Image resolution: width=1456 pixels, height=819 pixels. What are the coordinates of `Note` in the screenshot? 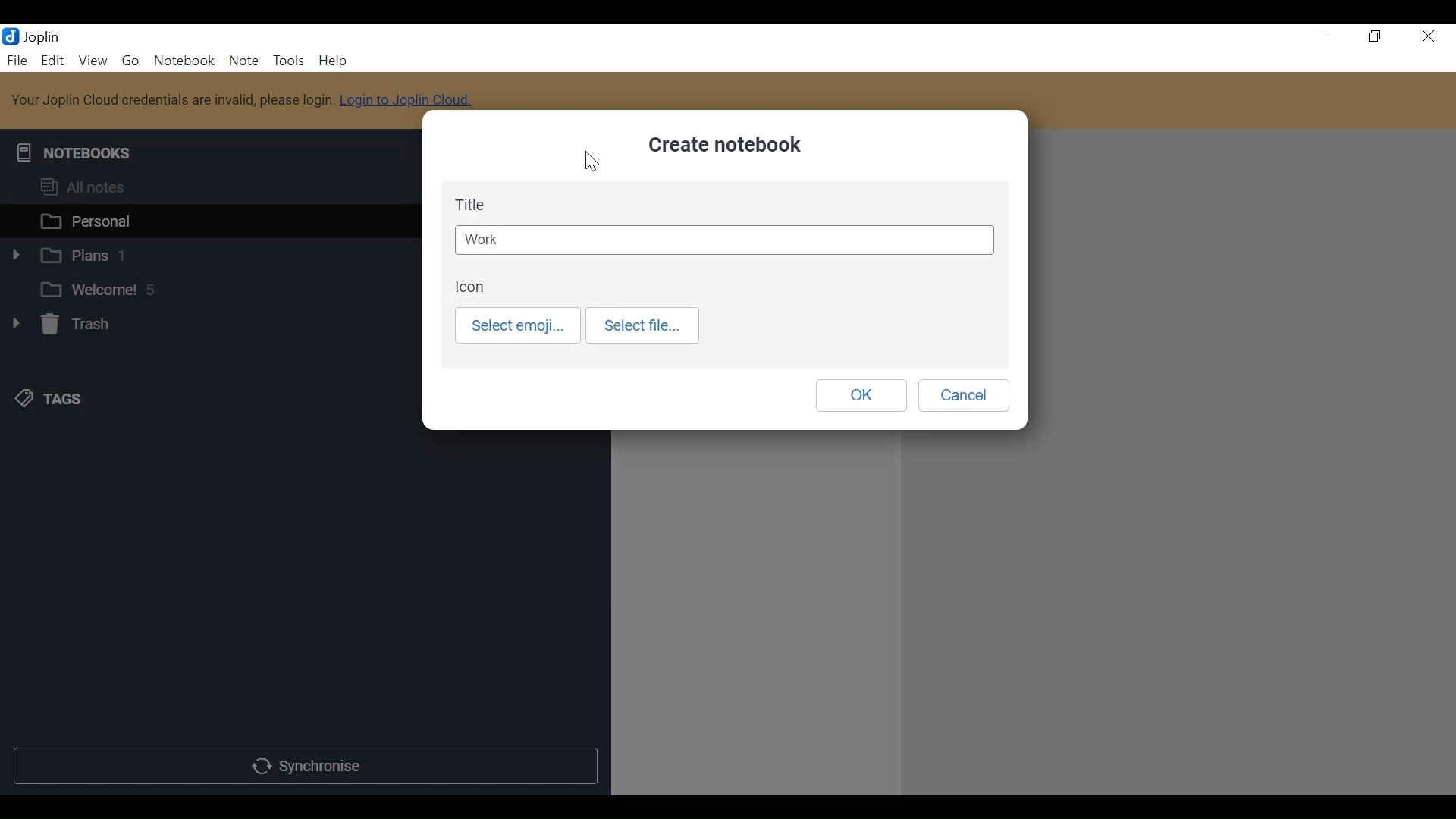 It's located at (243, 60).